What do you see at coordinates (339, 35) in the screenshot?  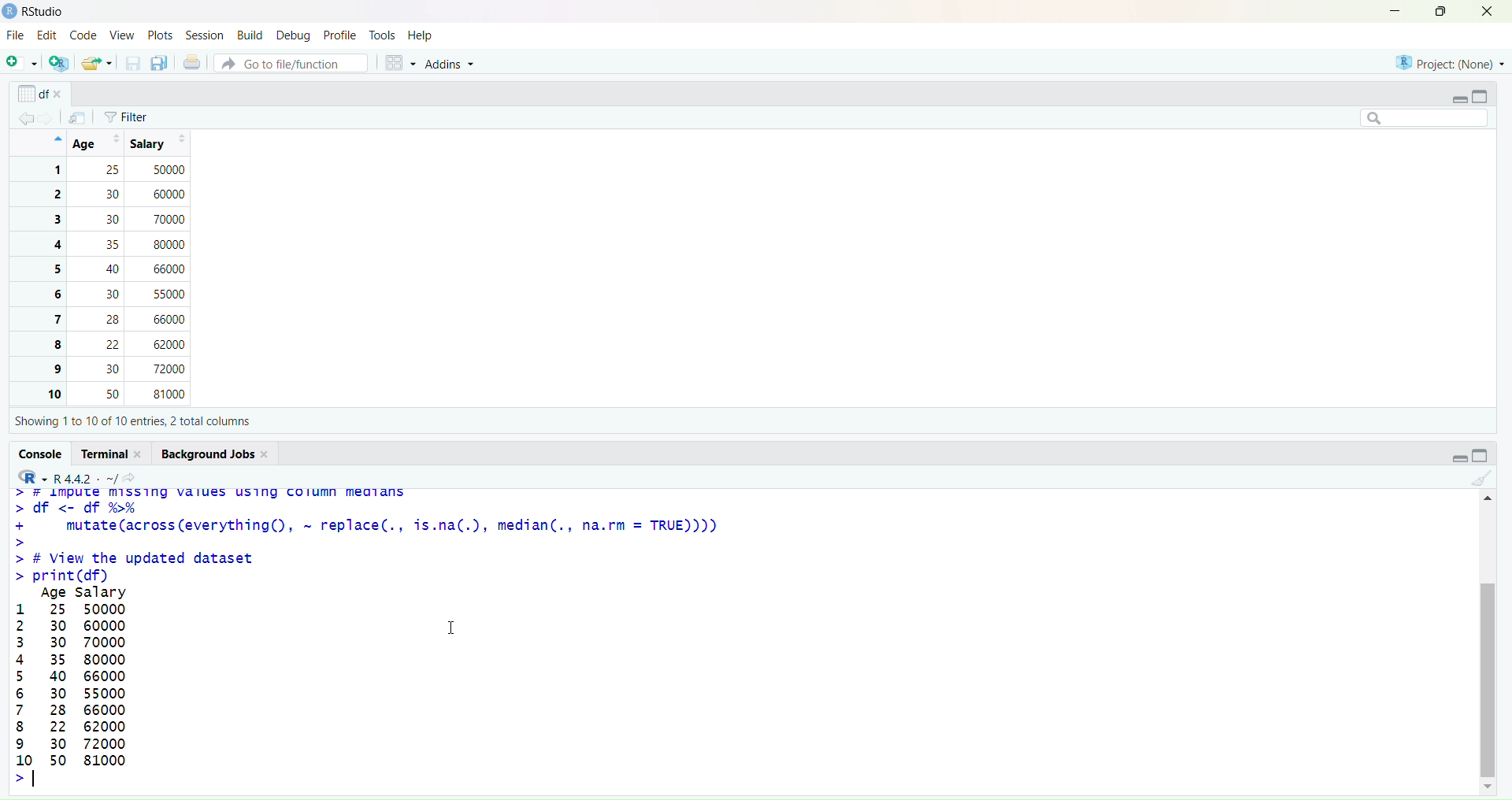 I see `profile` at bounding box center [339, 35].